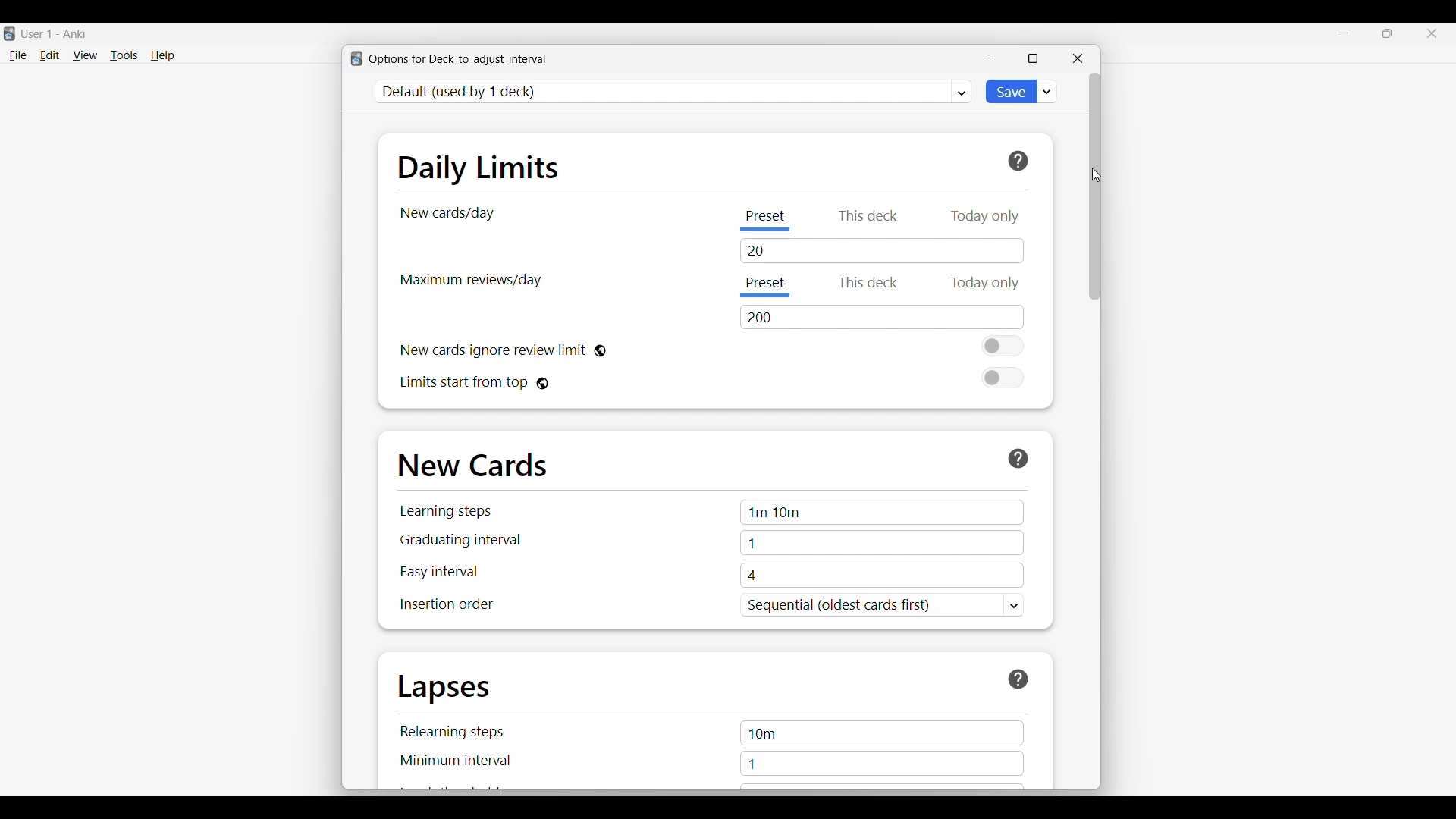 This screenshot has height=819, width=1456. Describe the element at coordinates (356, 58) in the screenshot. I see `Software logo` at that location.